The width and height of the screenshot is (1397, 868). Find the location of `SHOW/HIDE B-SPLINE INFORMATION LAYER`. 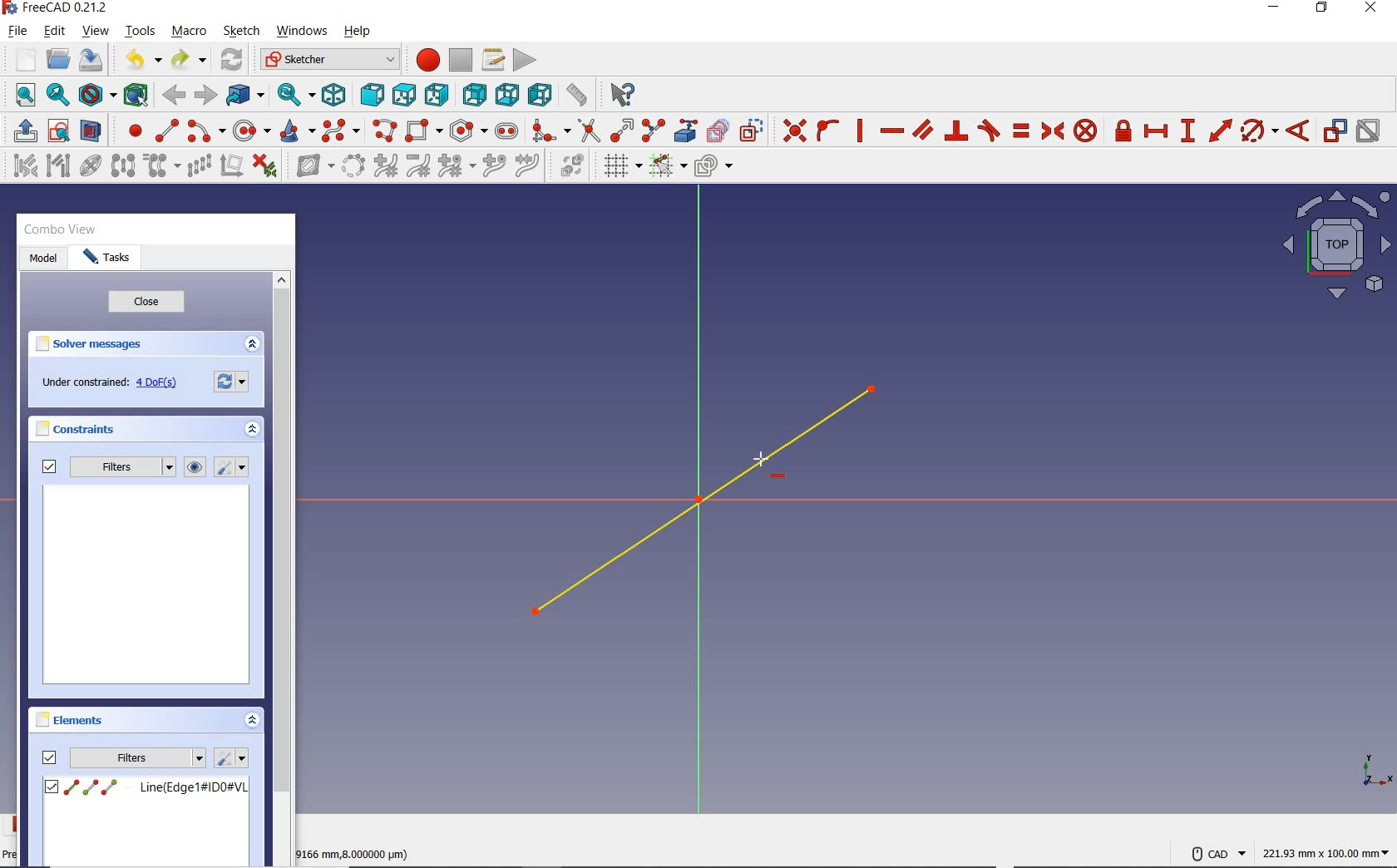

SHOW/HIDE B-SPLINE INFORMATION LAYER is located at coordinates (313, 168).